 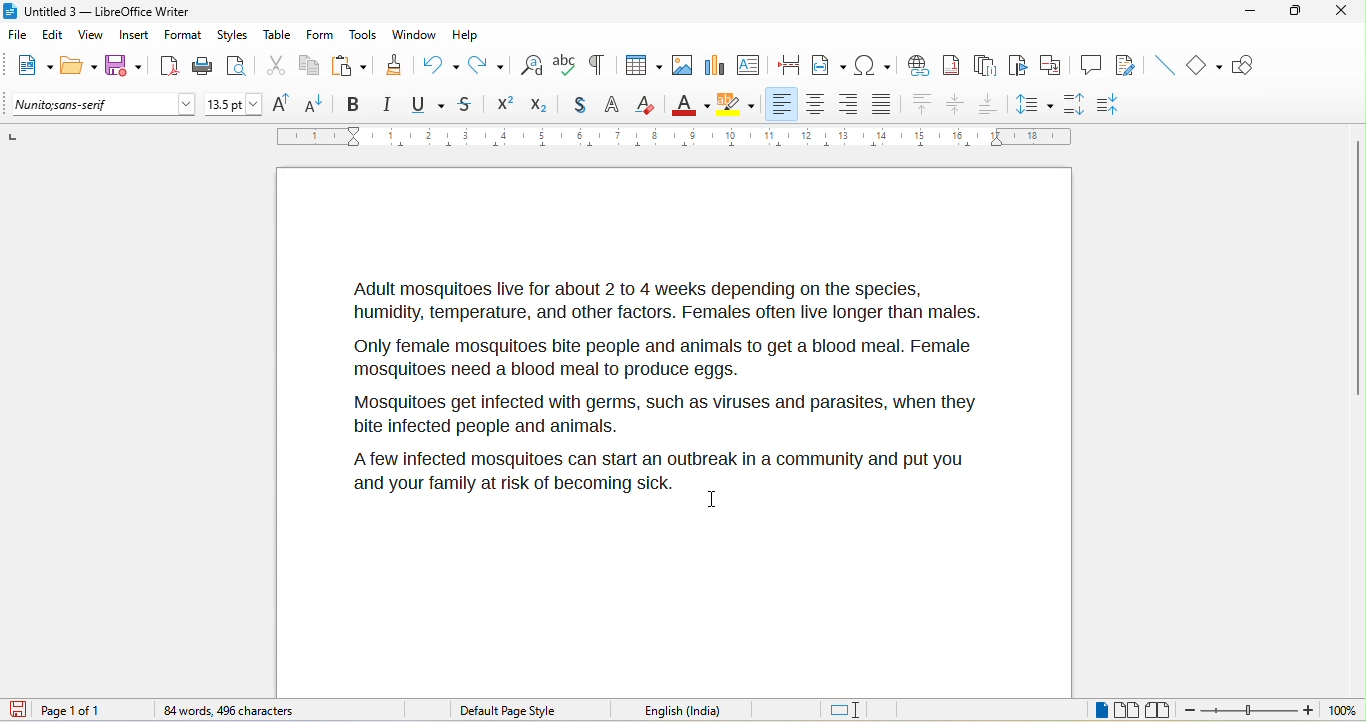 What do you see at coordinates (310, 67) in the screenshot?
I see `copy` at bounding box center [310, 67].